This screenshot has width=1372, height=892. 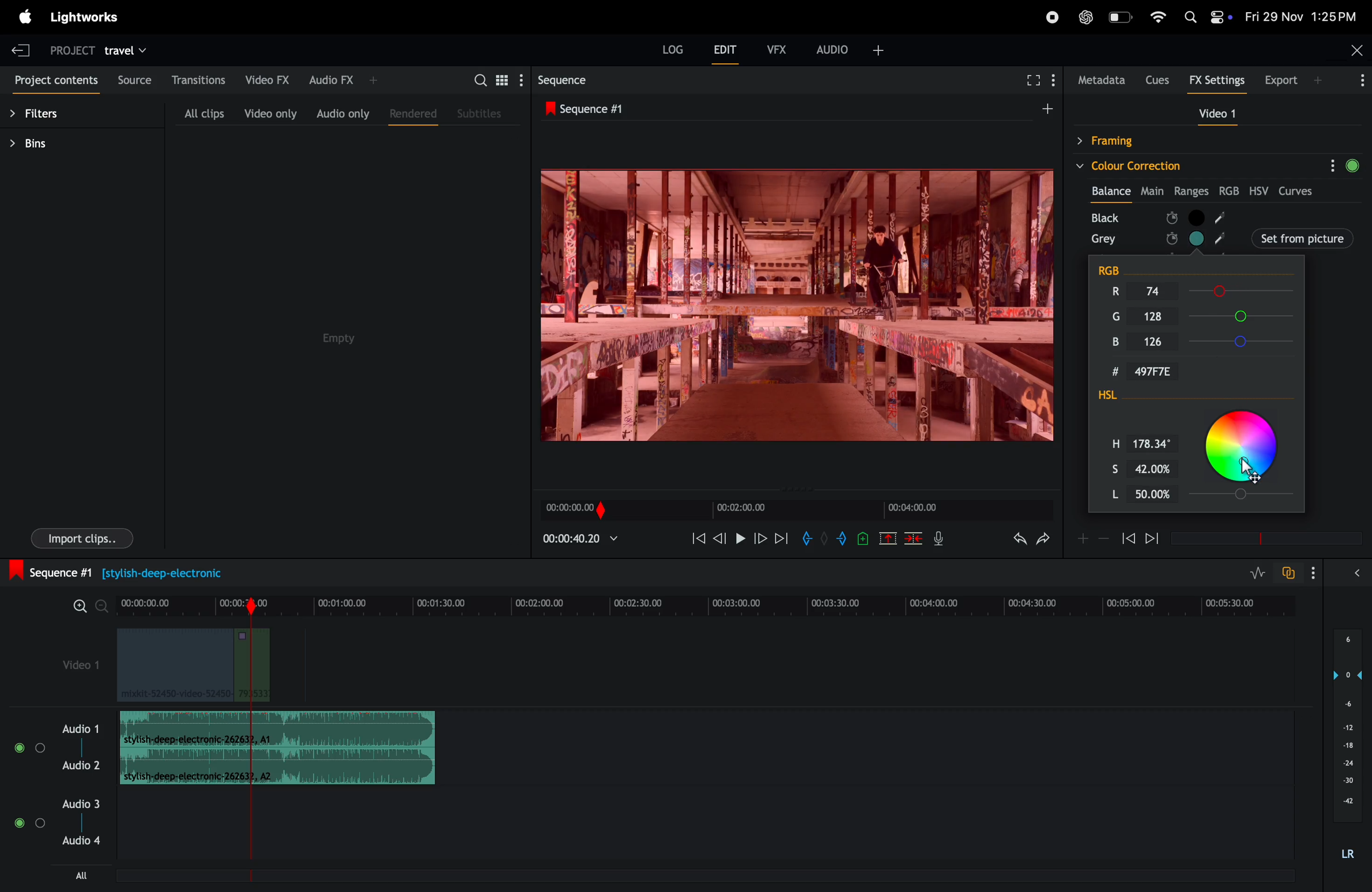 What do you see at coordinates (1296, 80) in the screenshot?
I see `export` at bounding box center [1296, 80].